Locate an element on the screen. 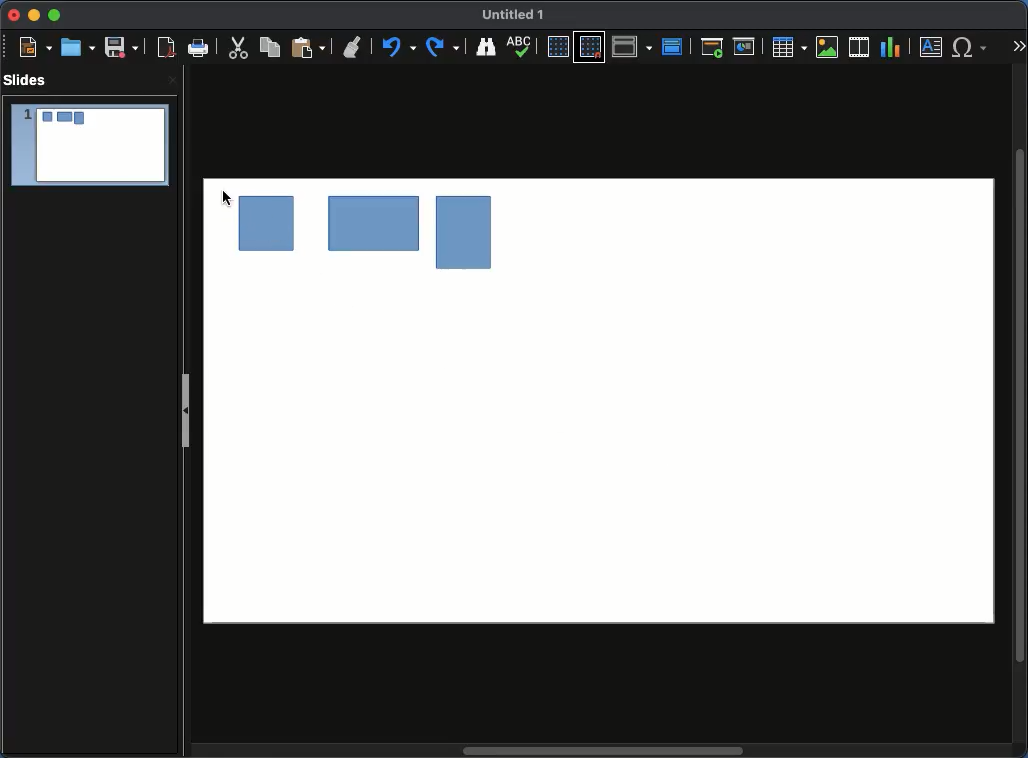 This screenshot has height=758, width=1028. Save is located at coordinates (121, 47).